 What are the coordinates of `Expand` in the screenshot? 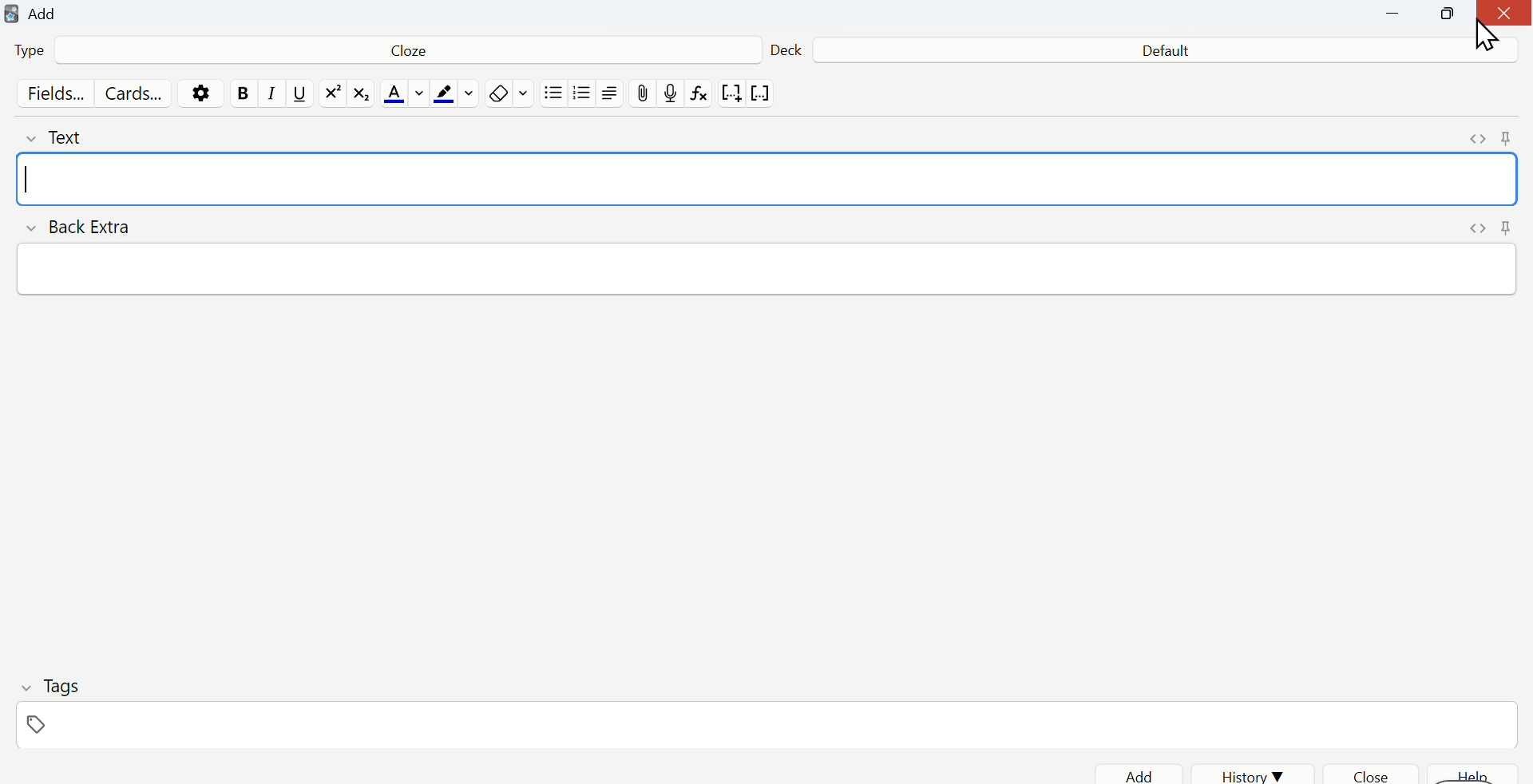 It's located at (1477, 140).